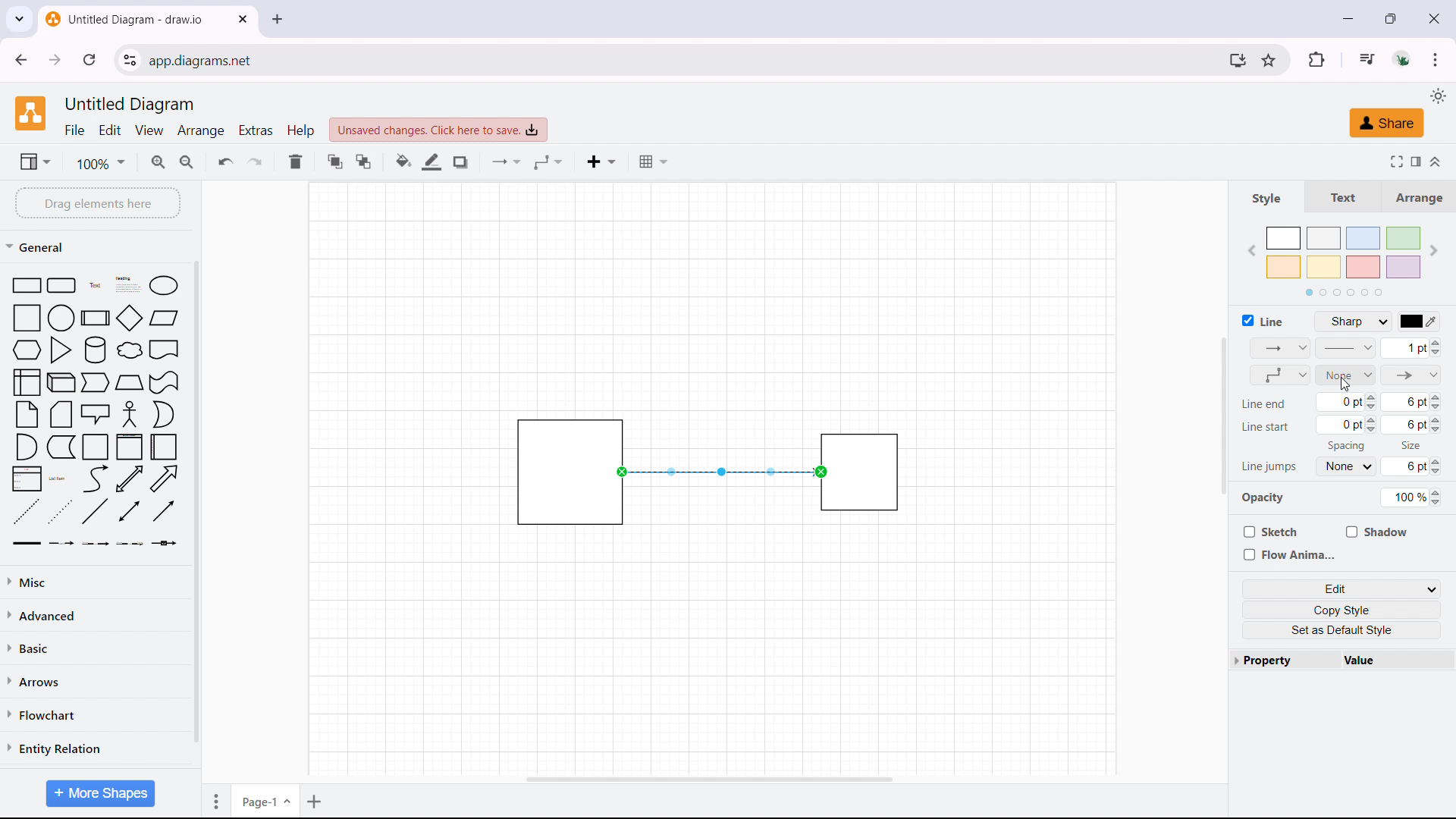 Image resolution: width=1456 pixels, height=819 pixels. What do you see at coordinates (1347, 375) in the screenshot?
I see `line start` at bounding box center [1347, 375].